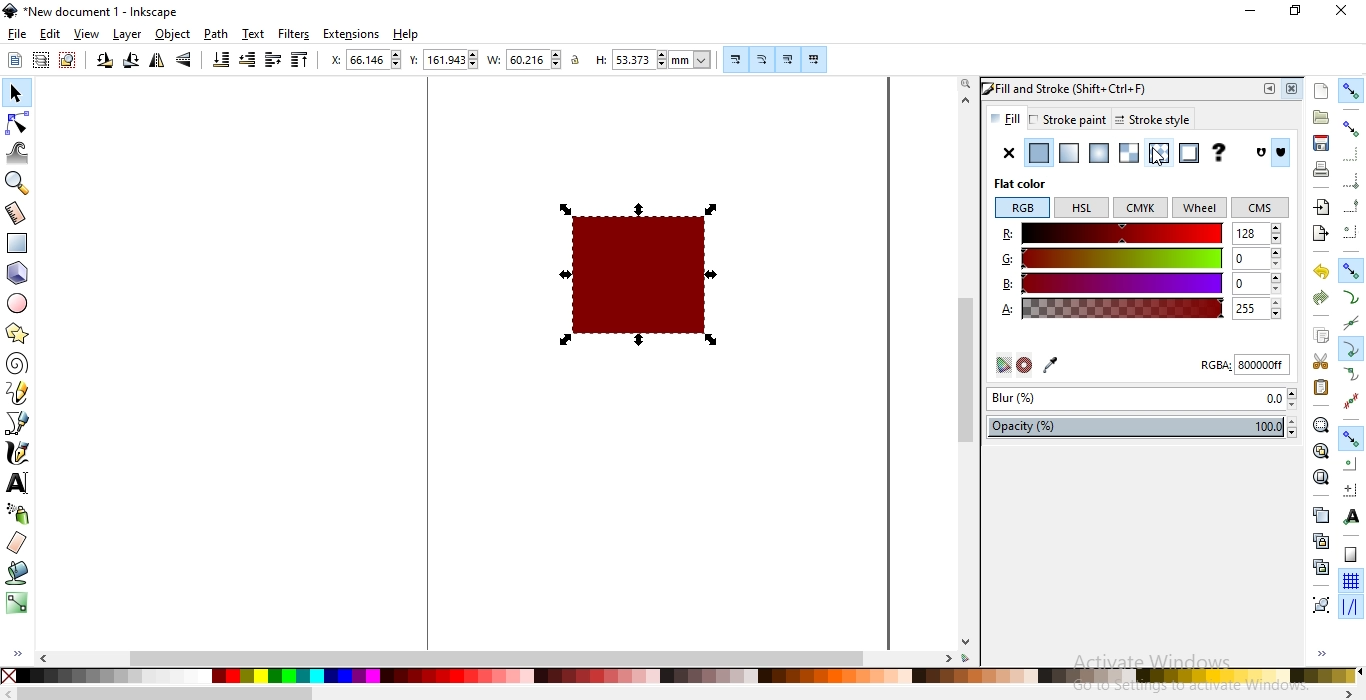  I want to click on nap to cusp nodes, so click(1349, 350).